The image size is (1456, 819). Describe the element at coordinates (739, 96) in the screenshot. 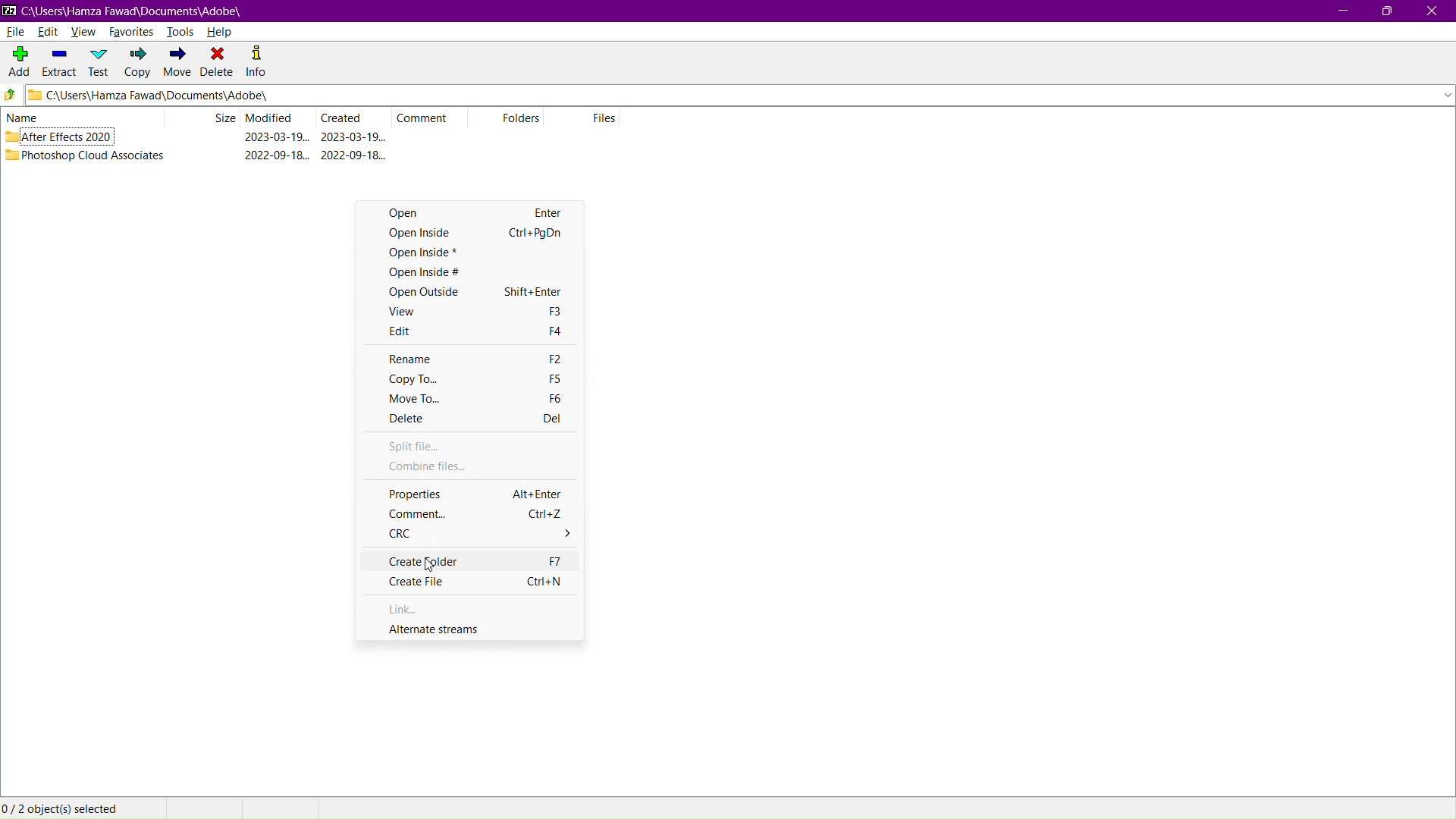

I see `Address Bar` at that location.